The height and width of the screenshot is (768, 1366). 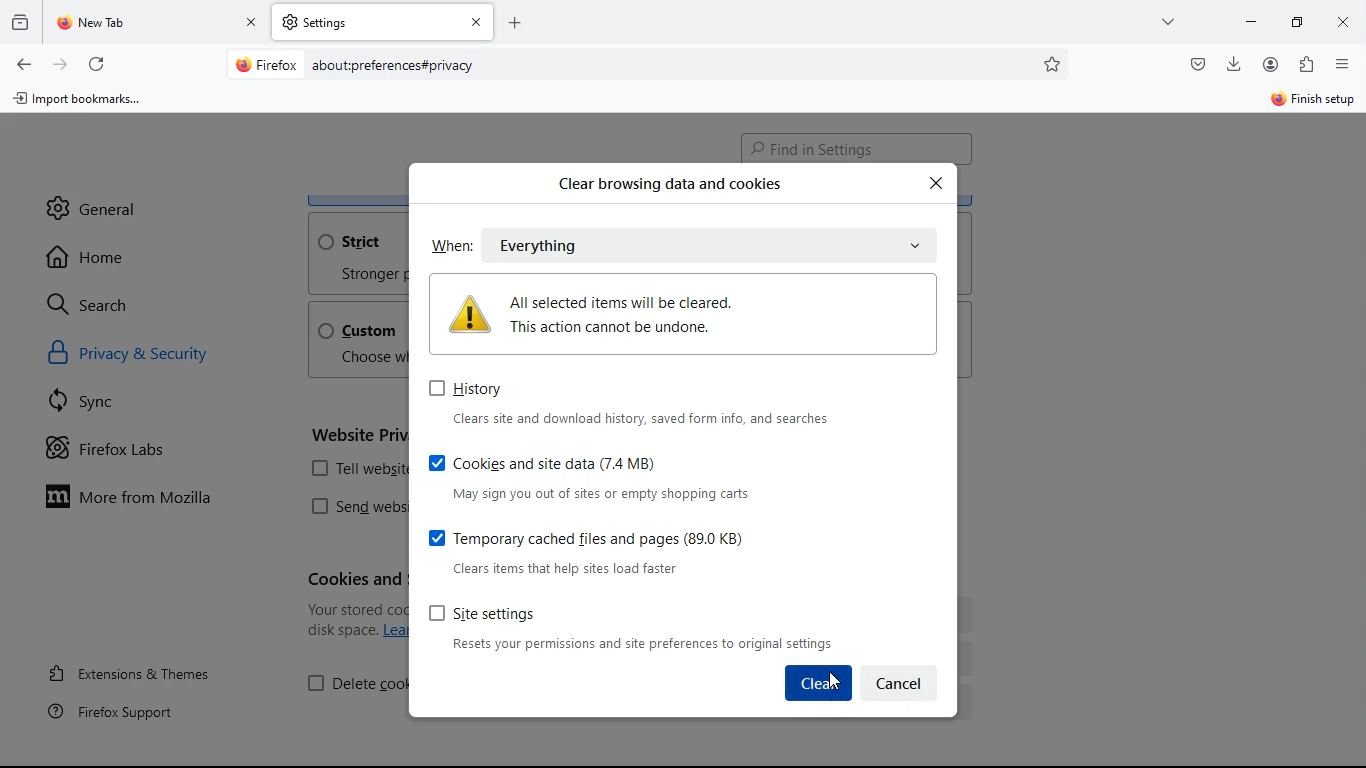 I want to click on clear, so click(x=819, y=682).